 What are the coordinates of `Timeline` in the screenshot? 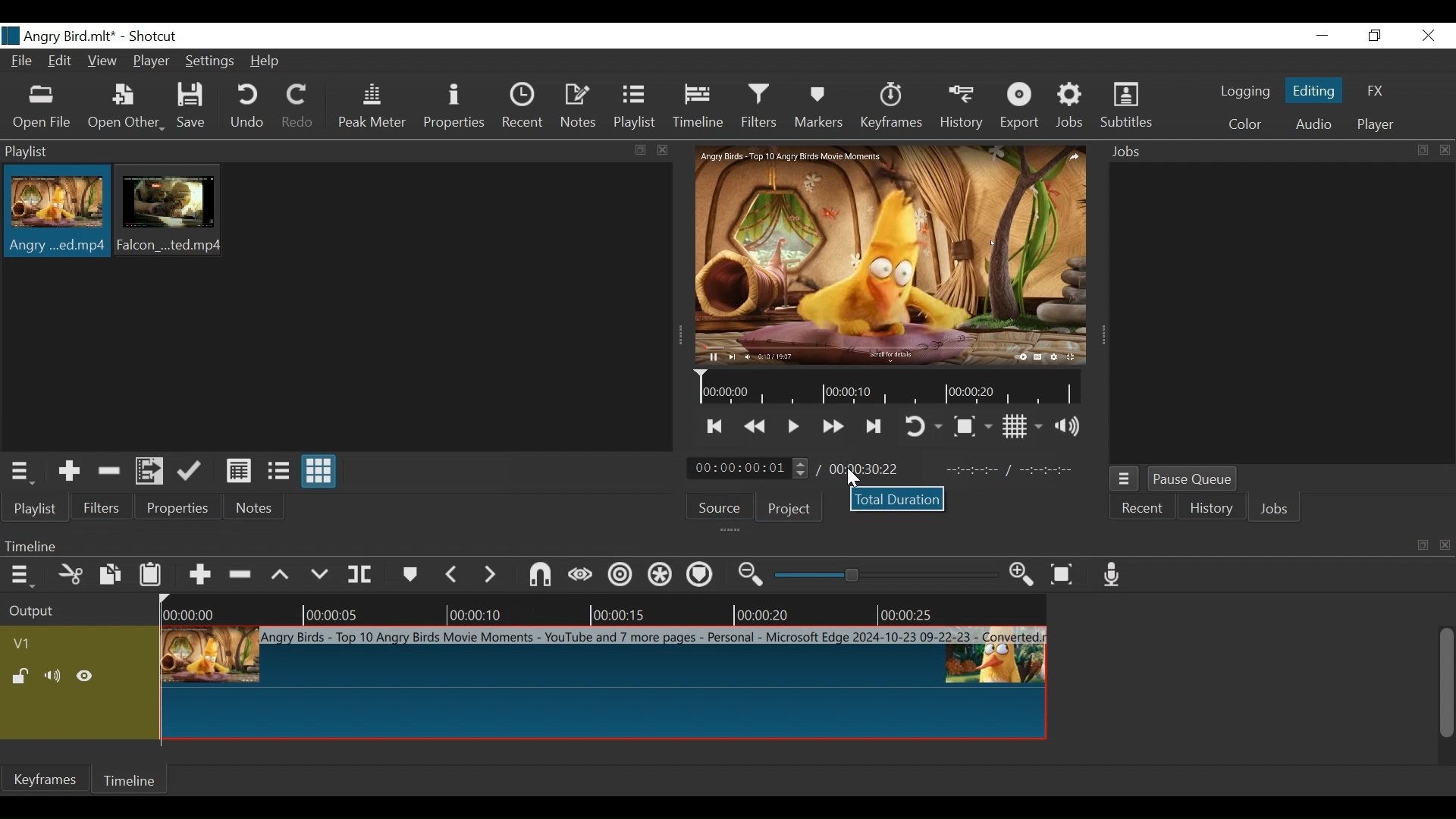 It's located at (602, 610).